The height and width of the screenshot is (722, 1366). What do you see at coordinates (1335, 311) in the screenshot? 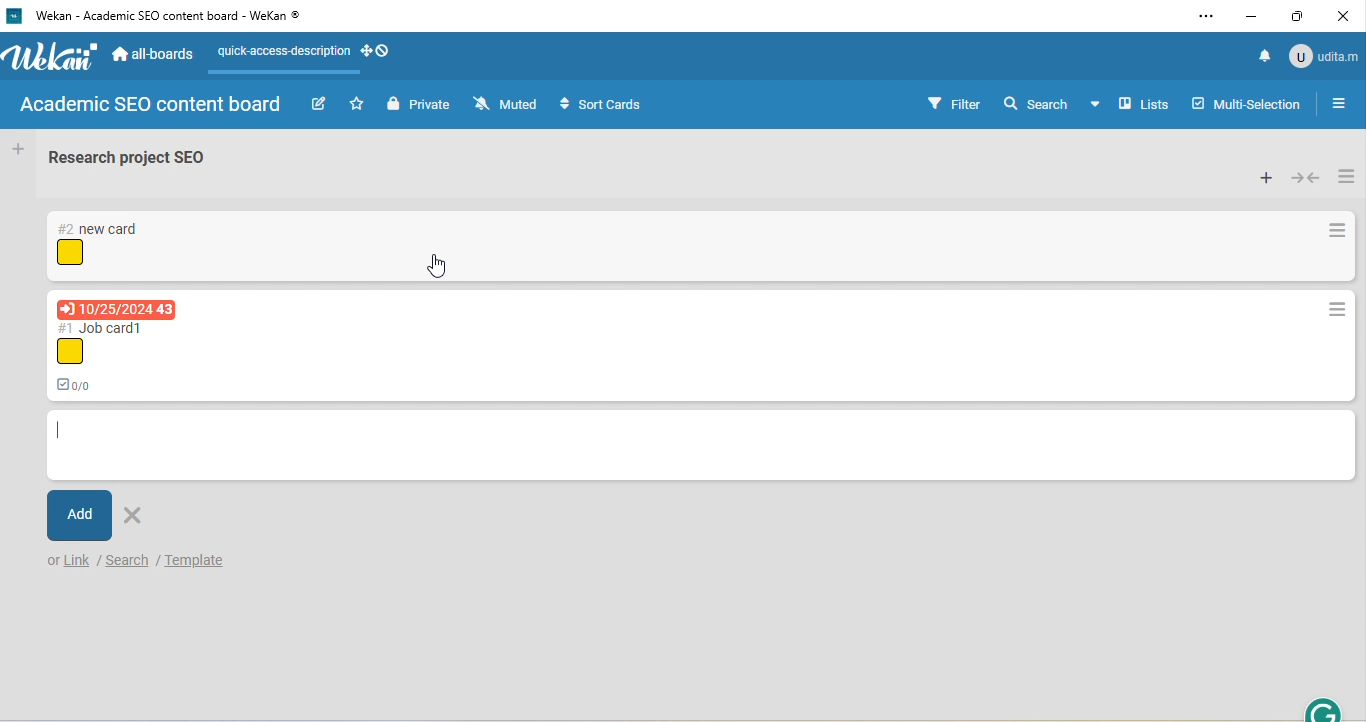
I see `card actions` at bounding box center [1335, 311].